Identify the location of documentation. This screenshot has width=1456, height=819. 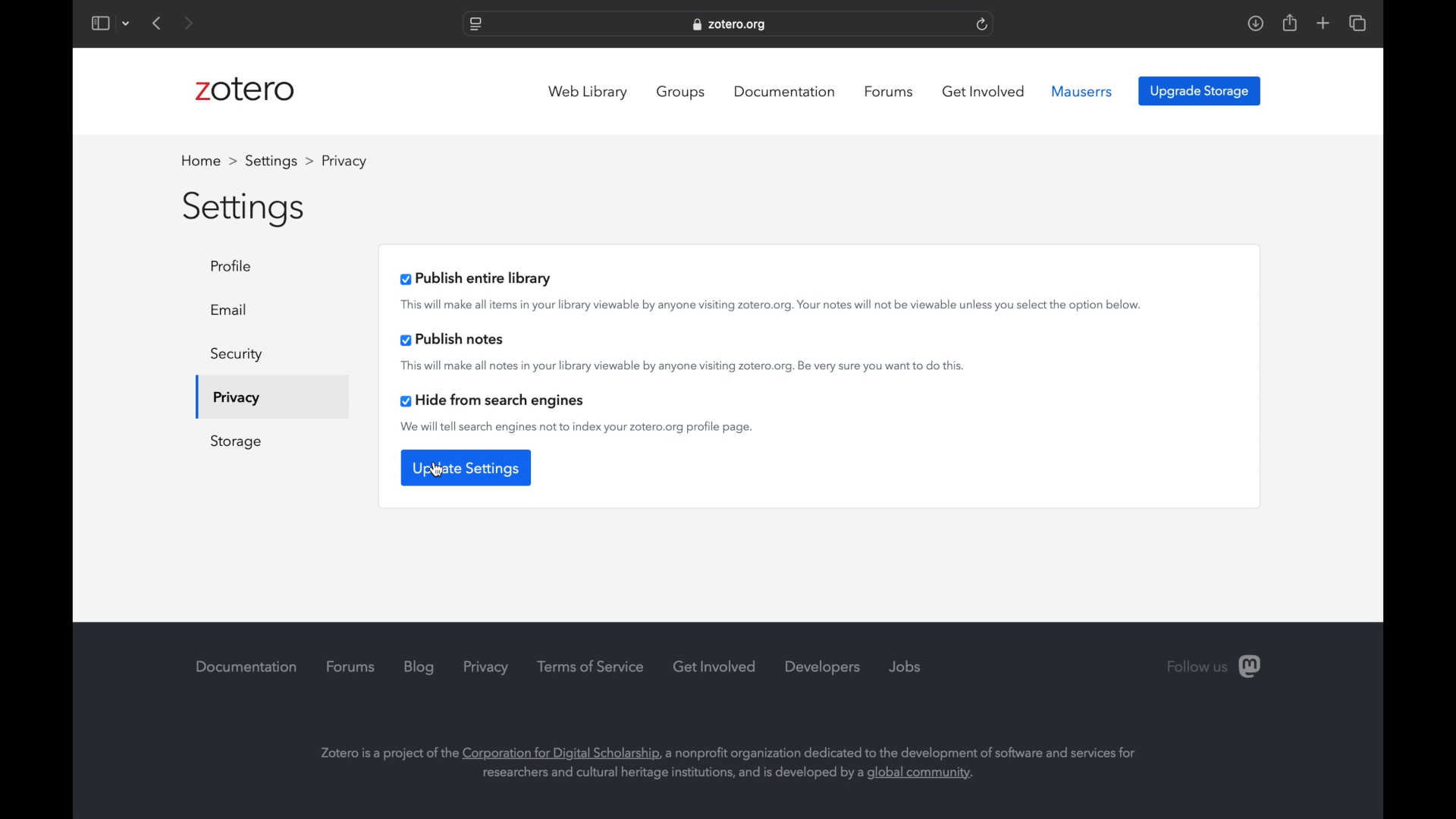
(787, 91).